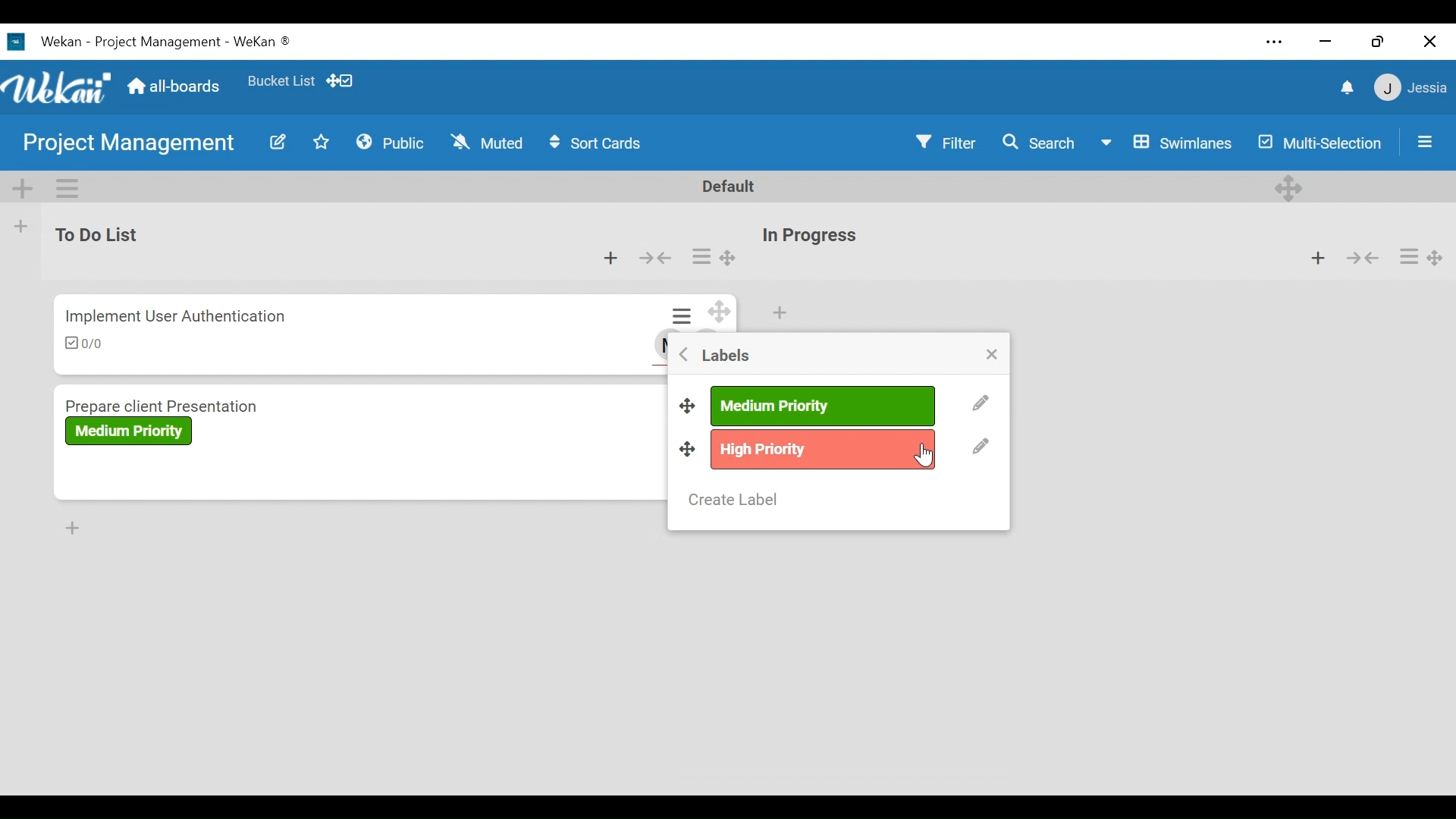 The image size is (1456, 819). I want to click on Add card to top of the list, so click(611, 259).